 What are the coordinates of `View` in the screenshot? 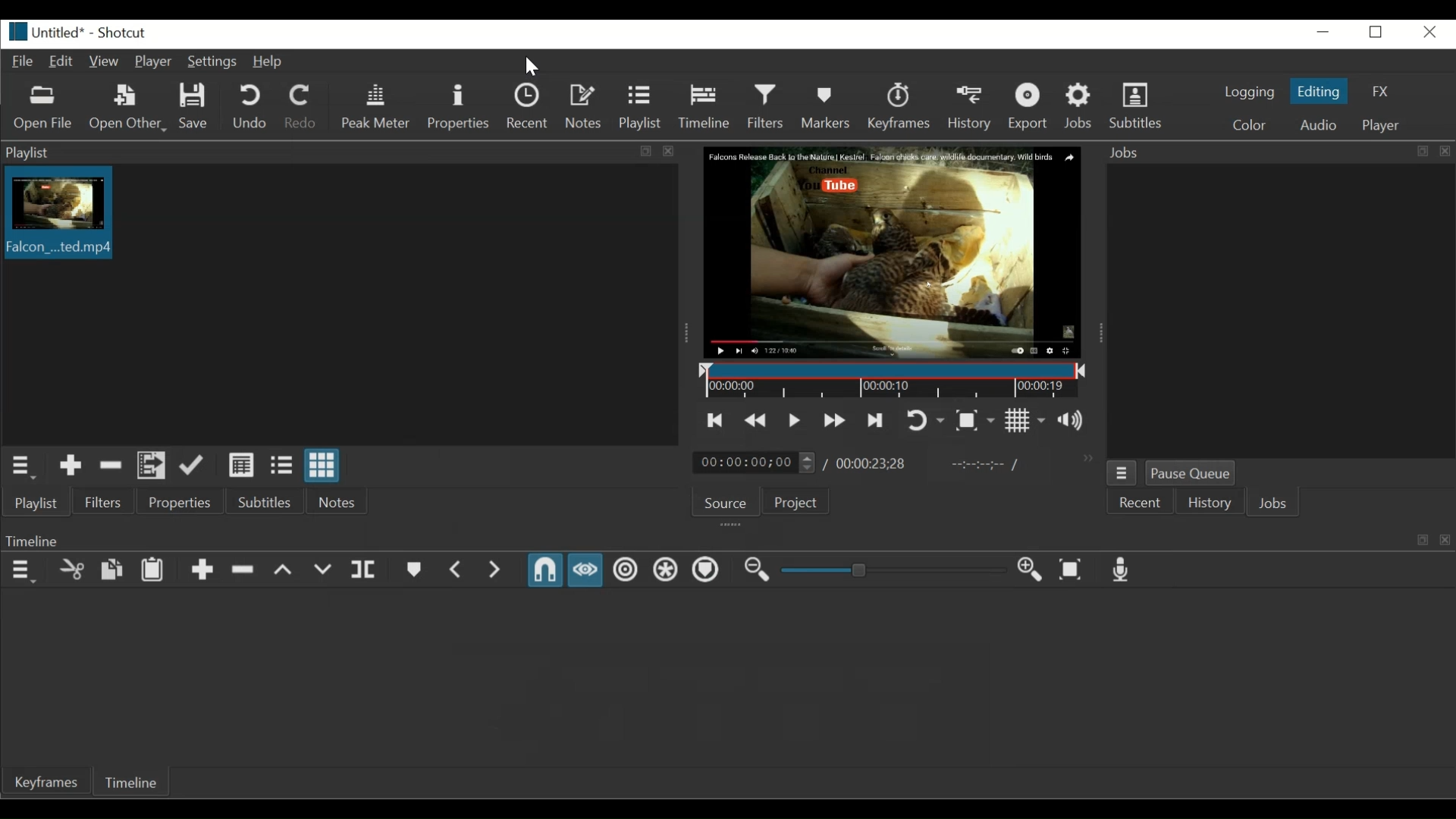 It's located at (104, 63).